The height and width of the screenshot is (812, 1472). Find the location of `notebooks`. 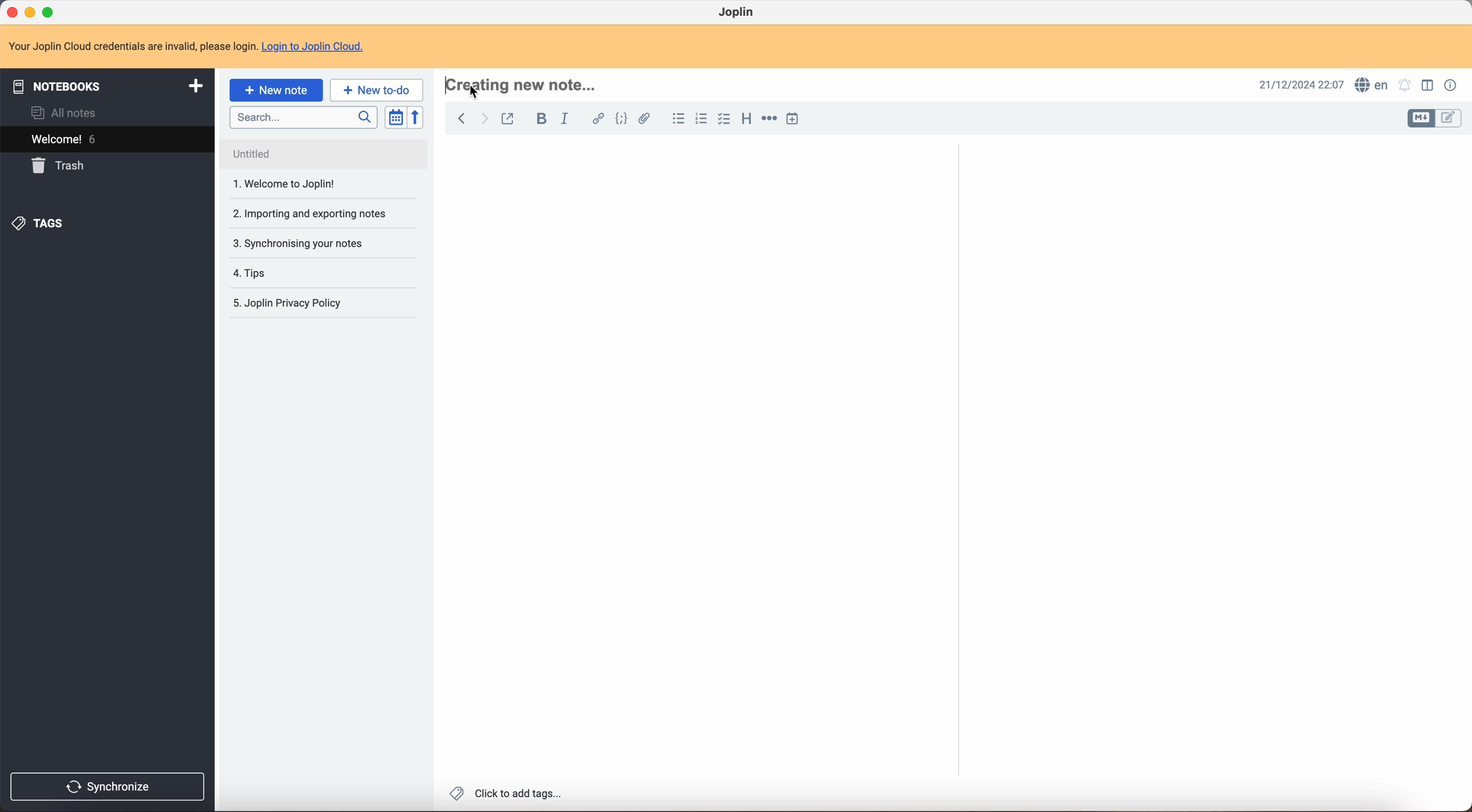

notebooks is located at coordinates (107, 85).